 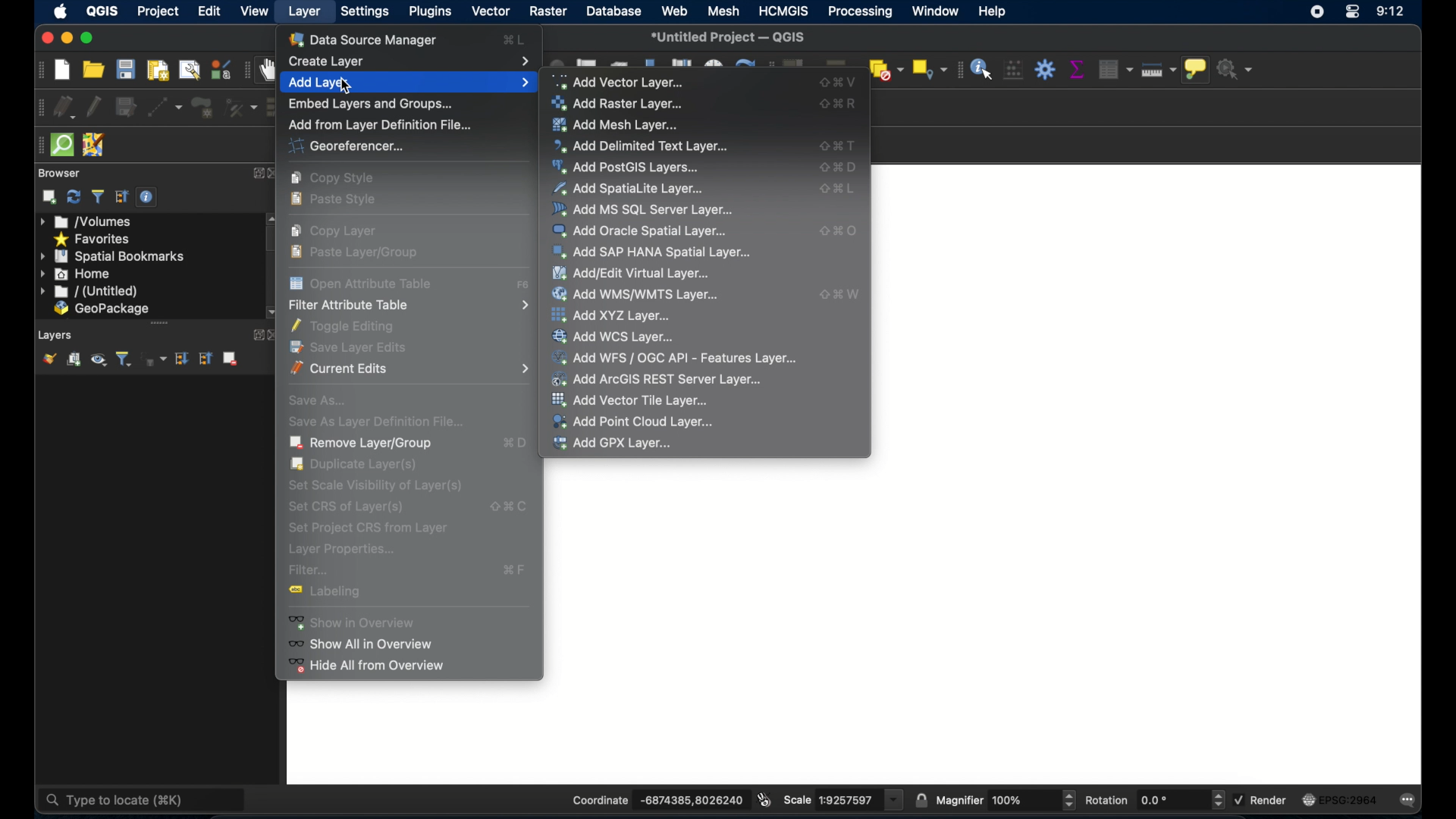 What do you see at coordinates (62, 173) in the screenshot?
I see `browser` at bounding box center [62, 173].